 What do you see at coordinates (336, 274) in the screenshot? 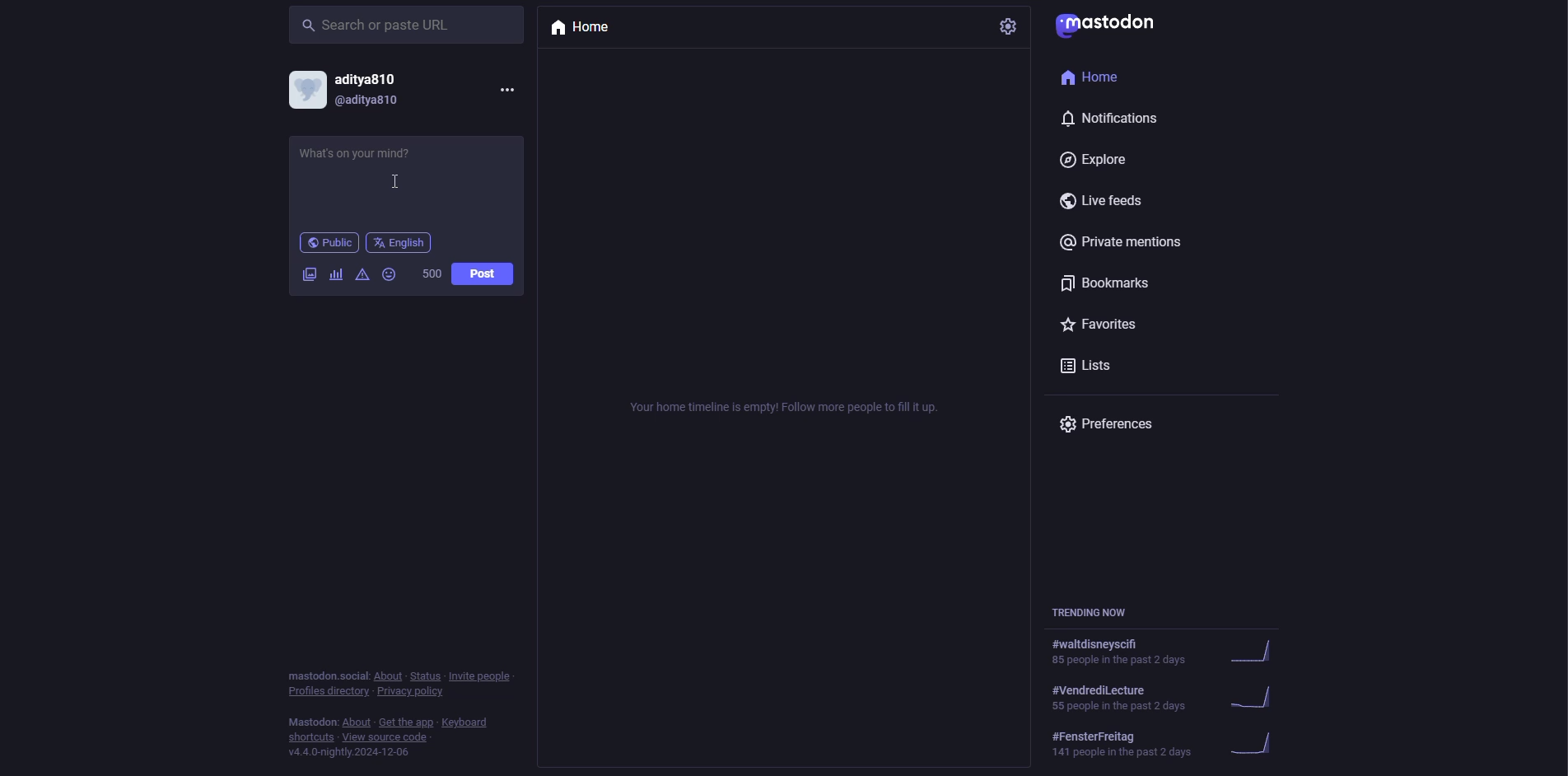
I see `polls` at bounding box center [336, 274].